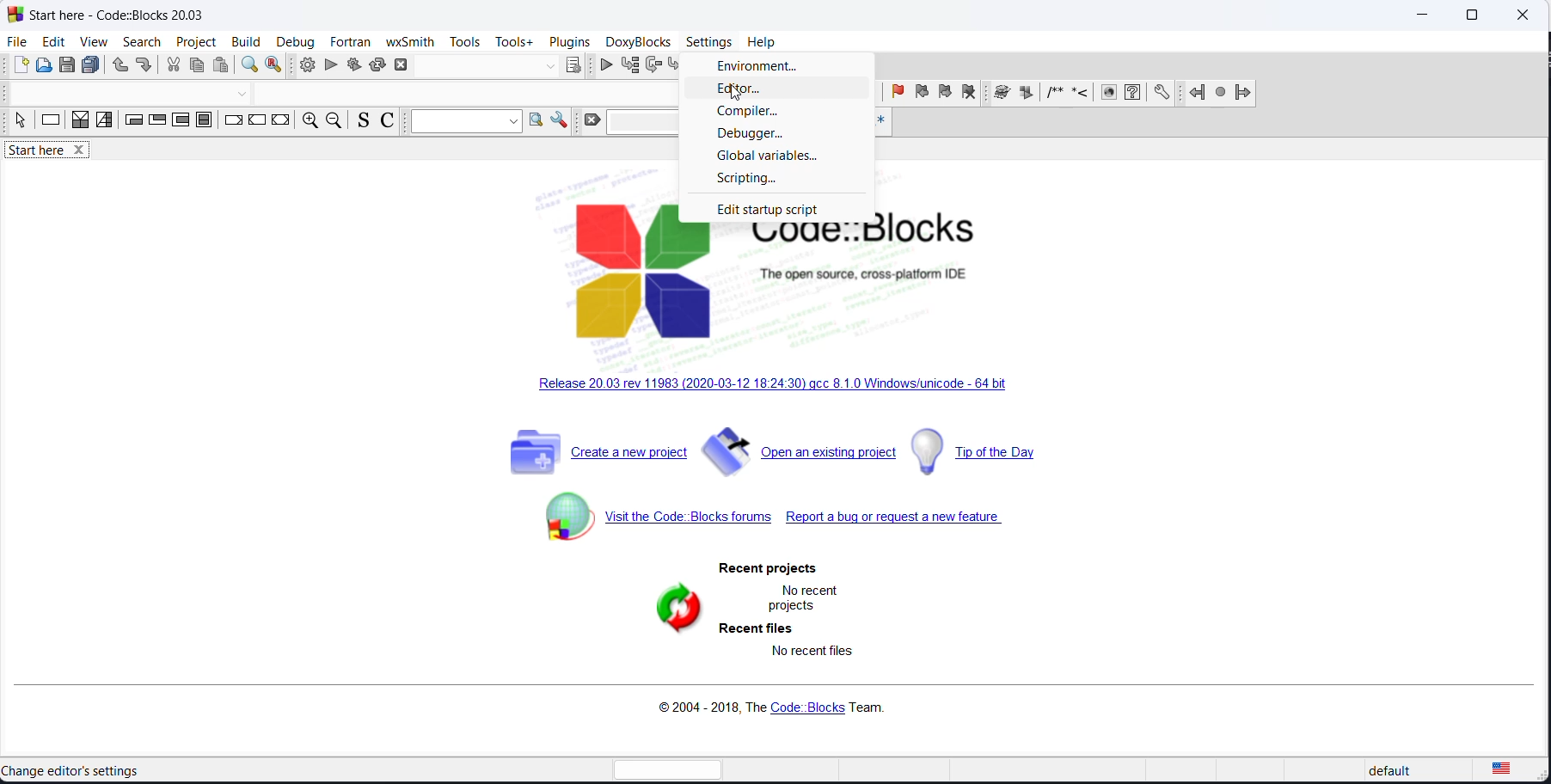  What do you see at coordinates (706, 43) in the screenshot?
I see `settings` at bounding box center [706, 43].